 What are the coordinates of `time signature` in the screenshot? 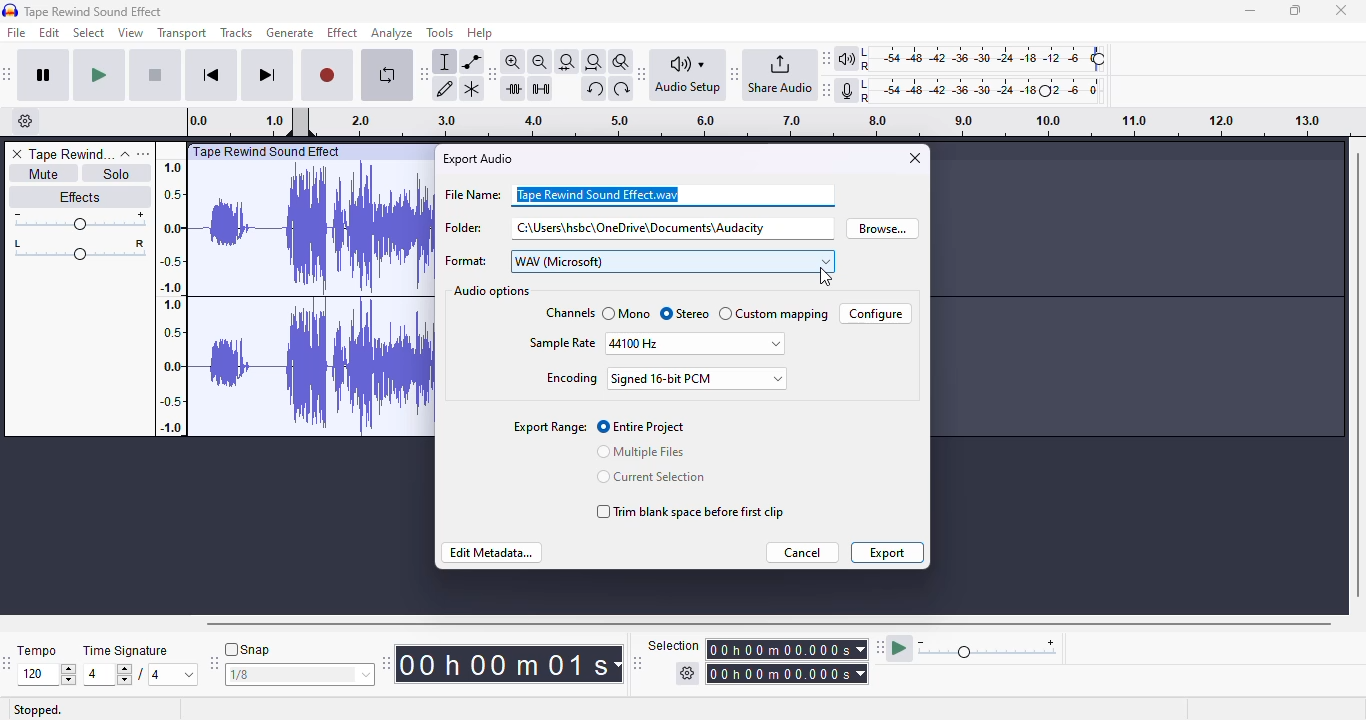 It's located at (143, 666).